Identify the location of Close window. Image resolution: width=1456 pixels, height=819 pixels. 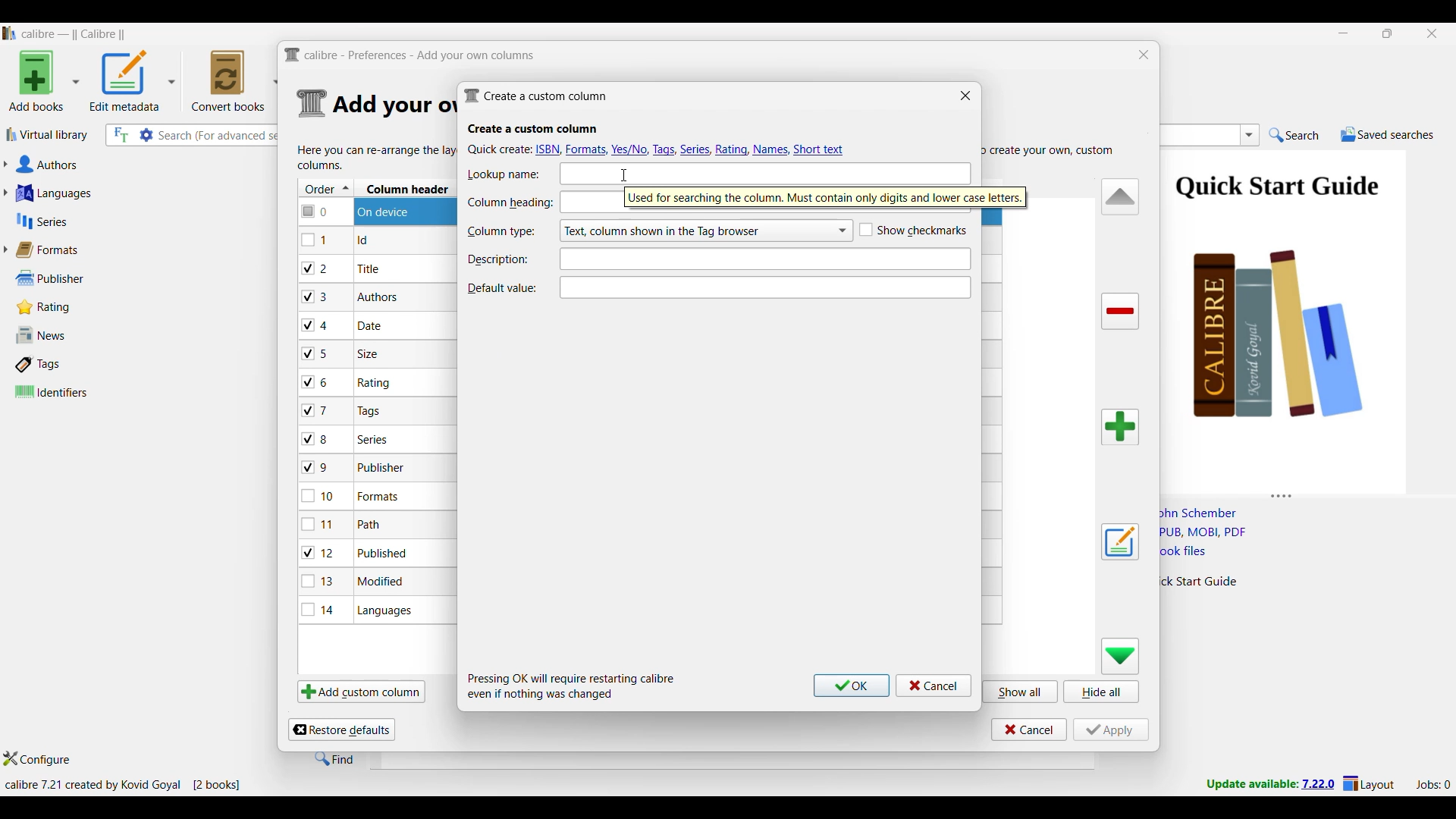
(1144, 55).